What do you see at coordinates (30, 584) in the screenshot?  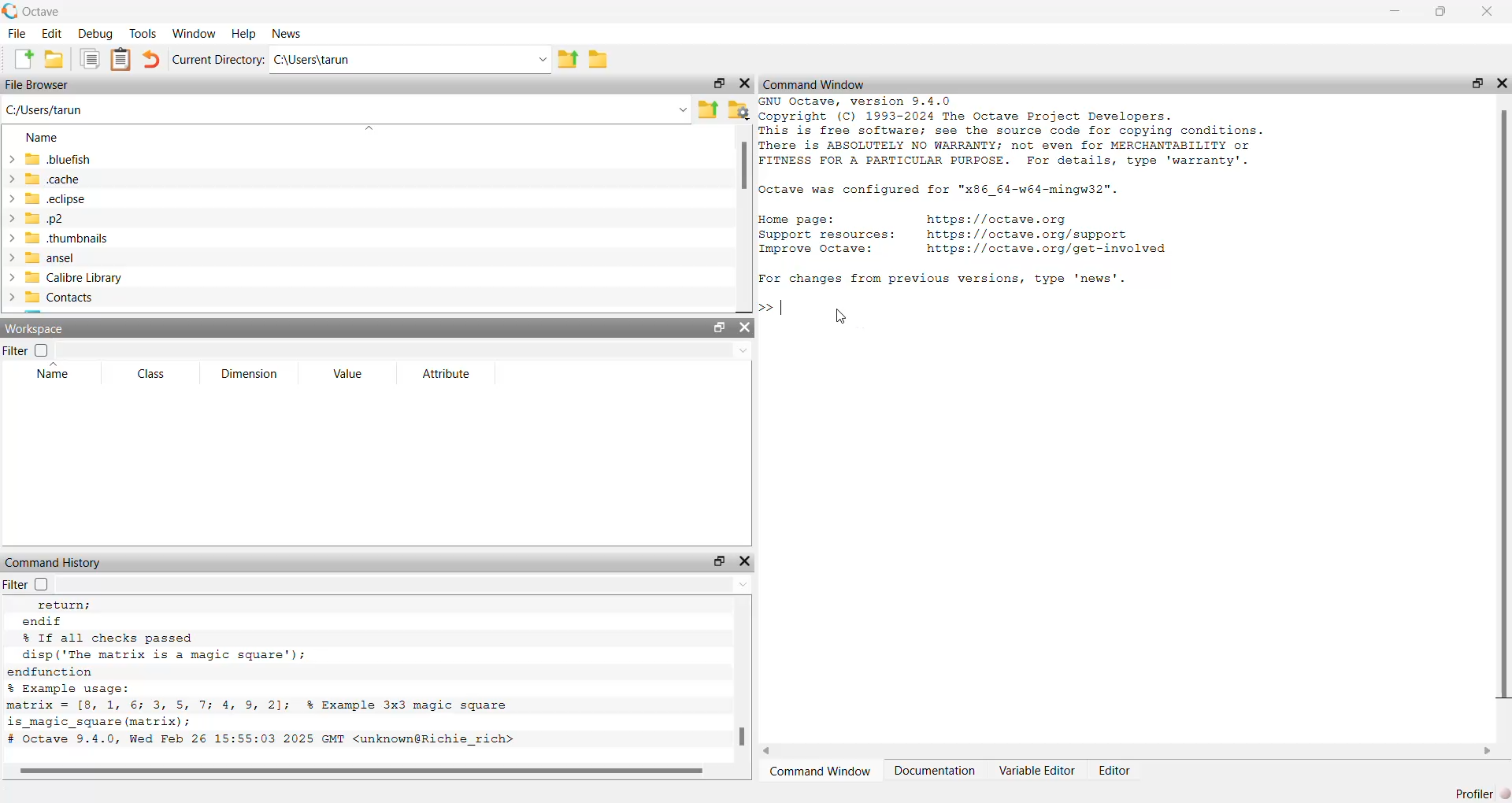 I see `Filter` at bounding box center [30, 584].